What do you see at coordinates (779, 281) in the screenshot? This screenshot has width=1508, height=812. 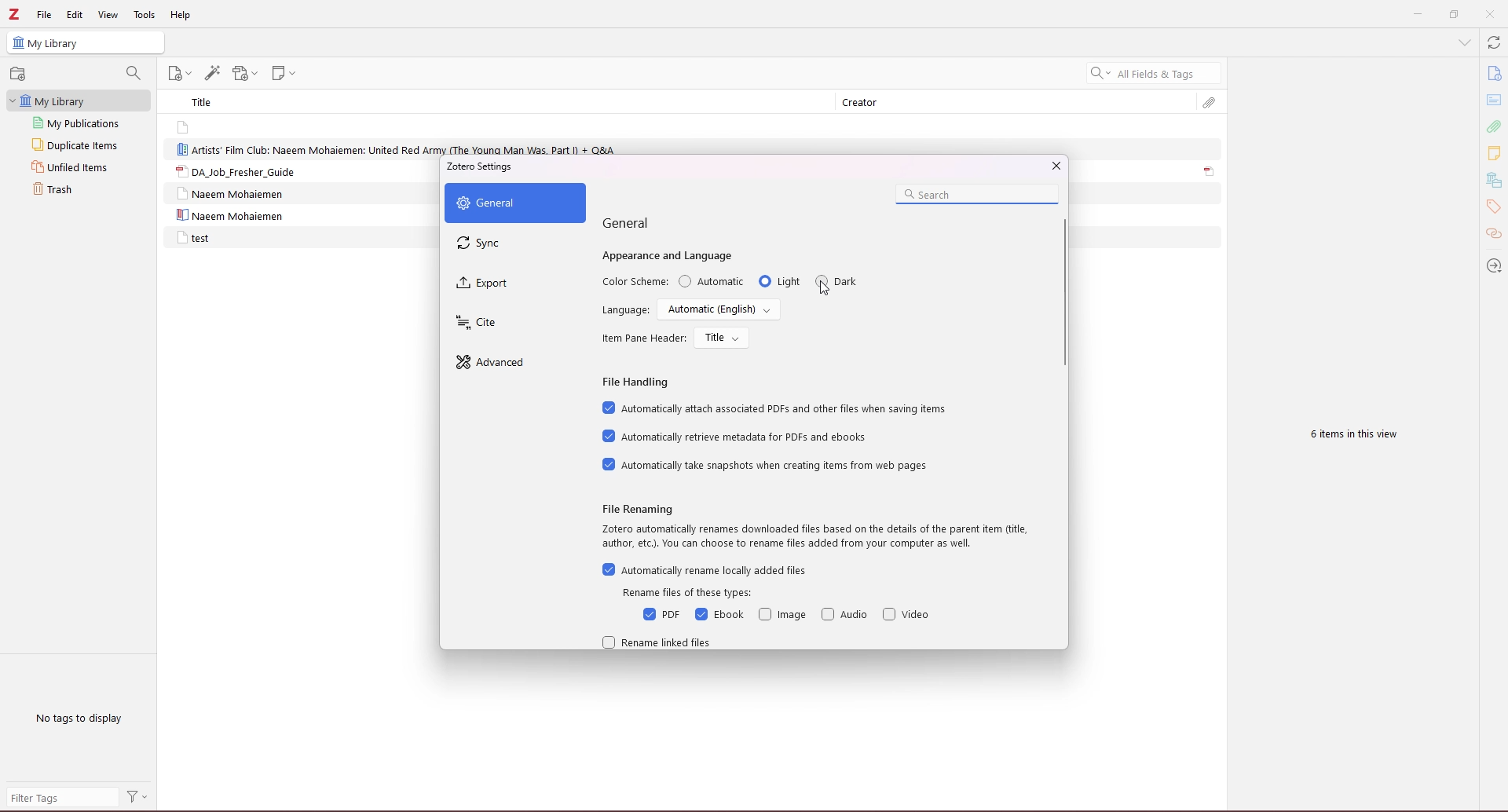 I see `light` at bounding box center [779, 281].